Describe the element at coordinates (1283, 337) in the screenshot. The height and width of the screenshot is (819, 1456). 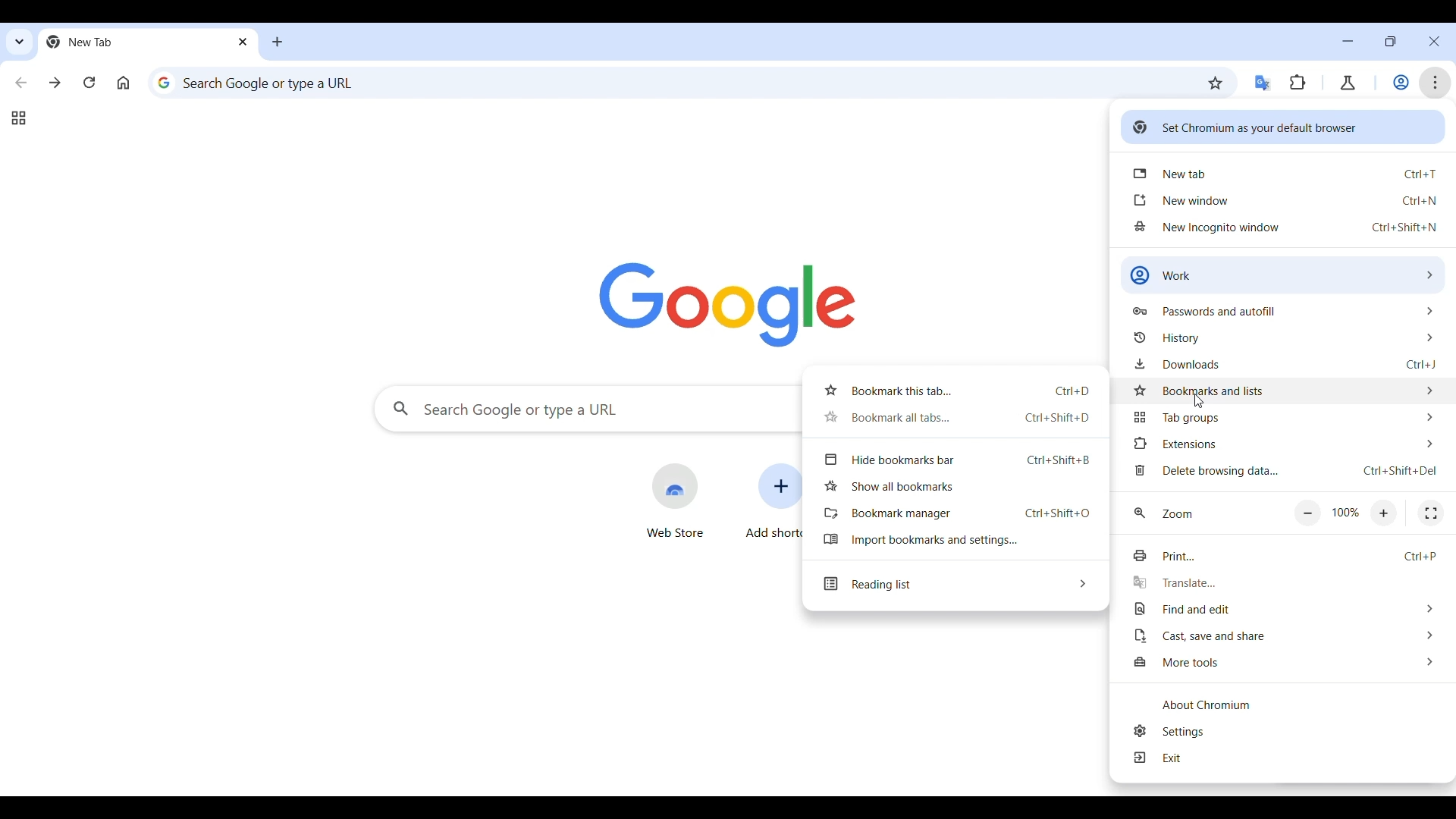
I see `History ` at that location.